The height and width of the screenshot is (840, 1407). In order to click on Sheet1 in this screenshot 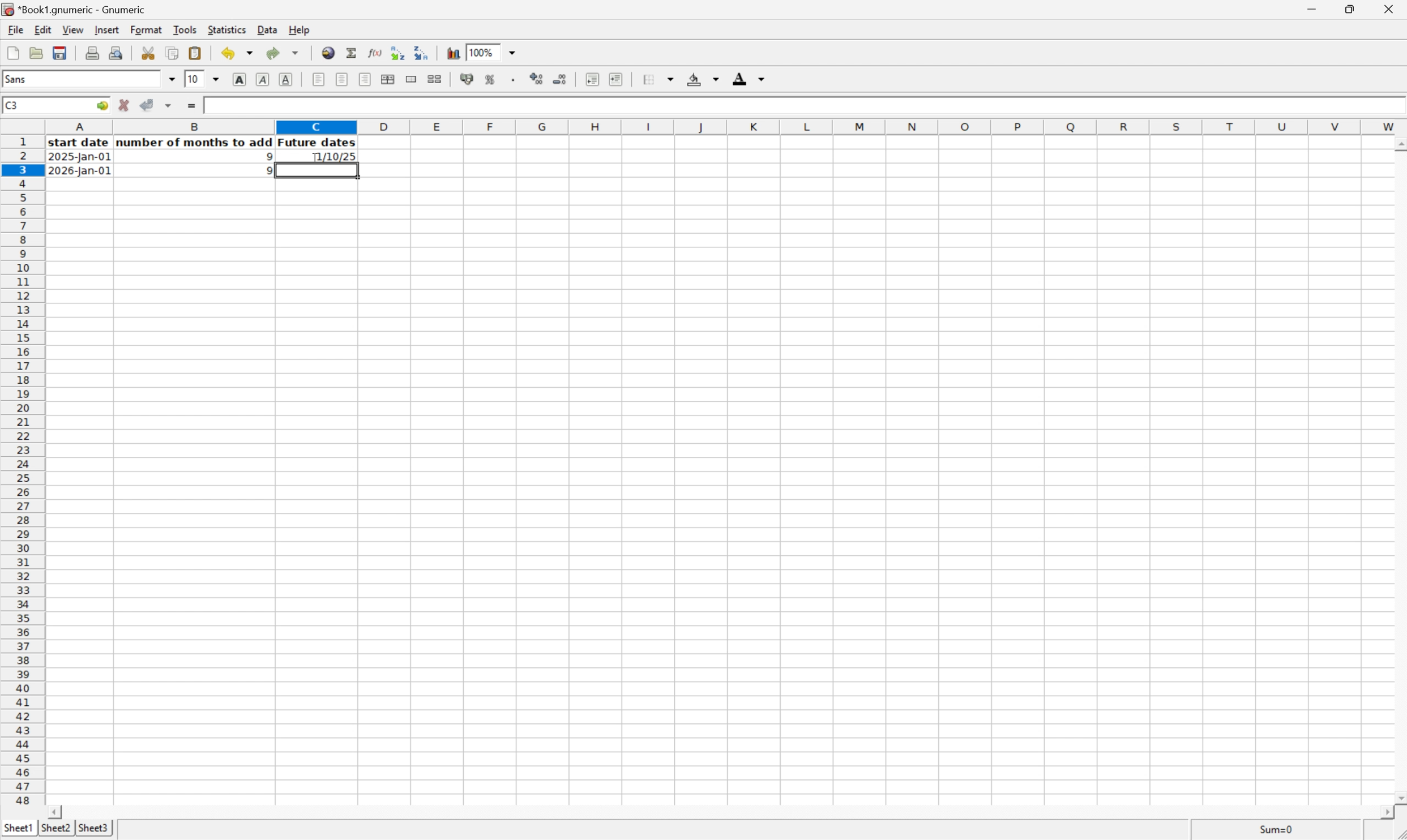, I will do `click(18, 828)`.